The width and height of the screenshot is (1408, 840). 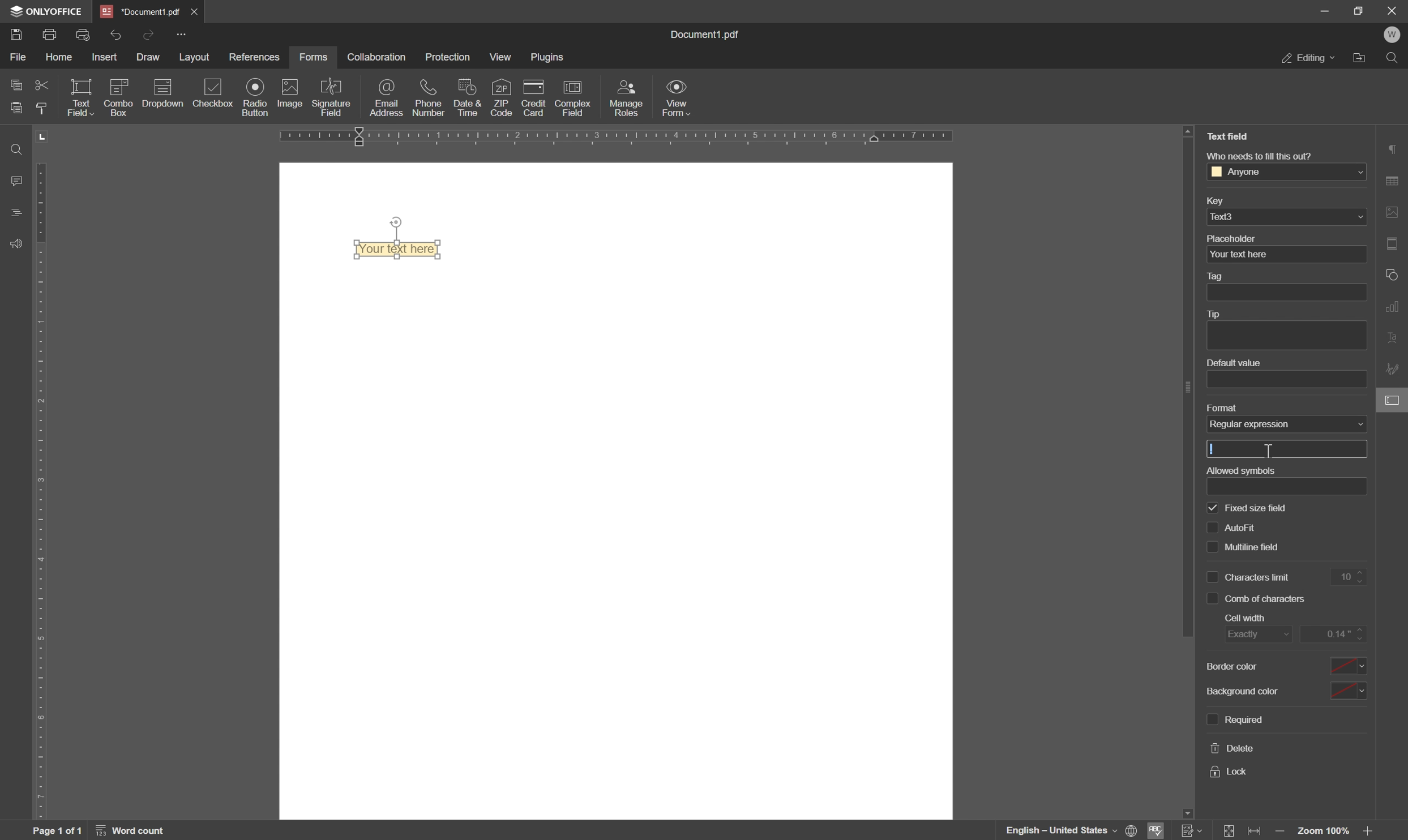 What do you see at coordinates (678, 100) in the screenshot?
I see `view form` at bounding box center [678, 100].